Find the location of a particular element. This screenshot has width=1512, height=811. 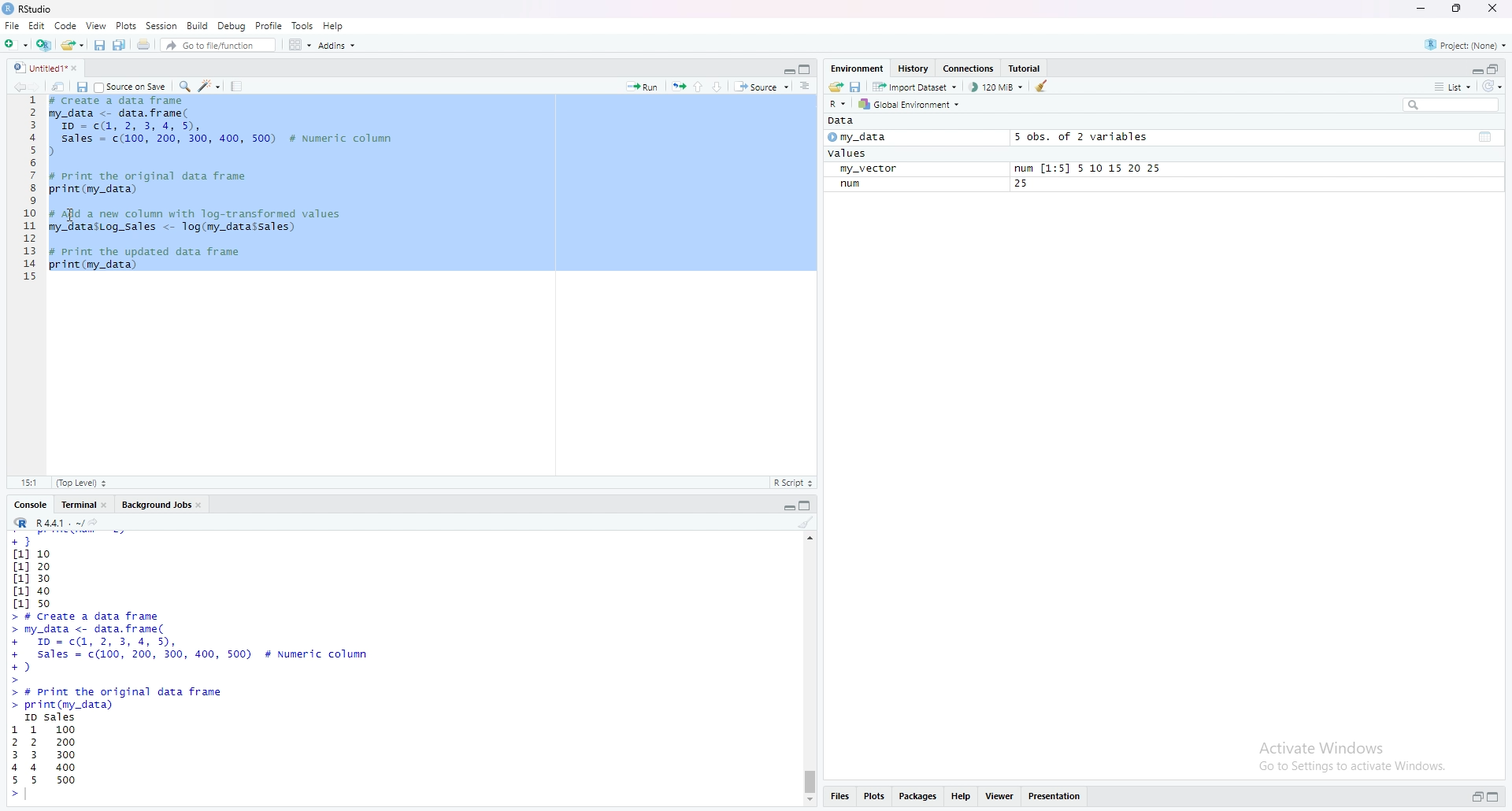

clear console is located at coordinates (806, 524).